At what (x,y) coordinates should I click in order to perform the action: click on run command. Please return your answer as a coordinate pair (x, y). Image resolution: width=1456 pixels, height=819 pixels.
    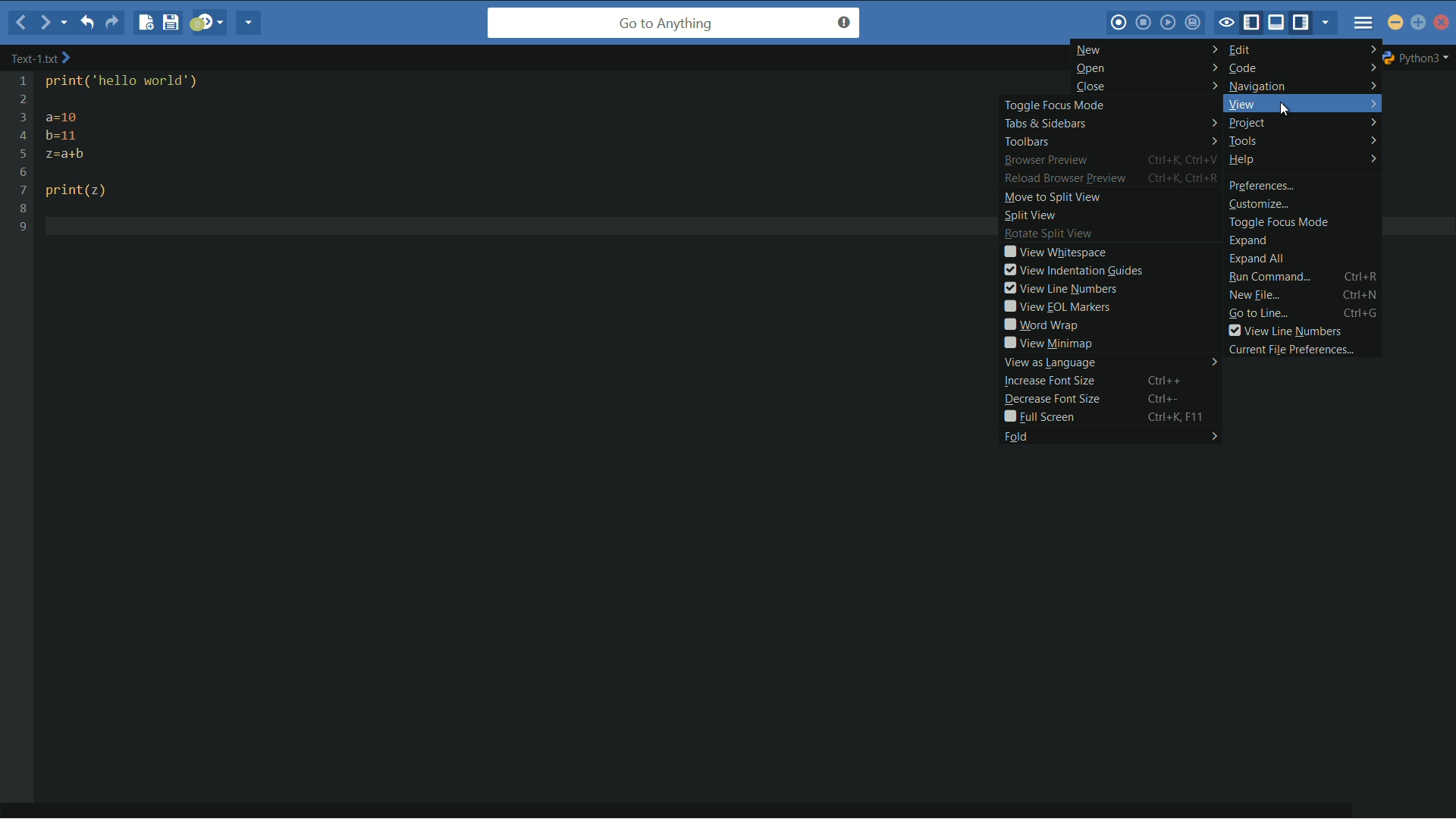
    Looking at the image, I should click on (1270, 278).